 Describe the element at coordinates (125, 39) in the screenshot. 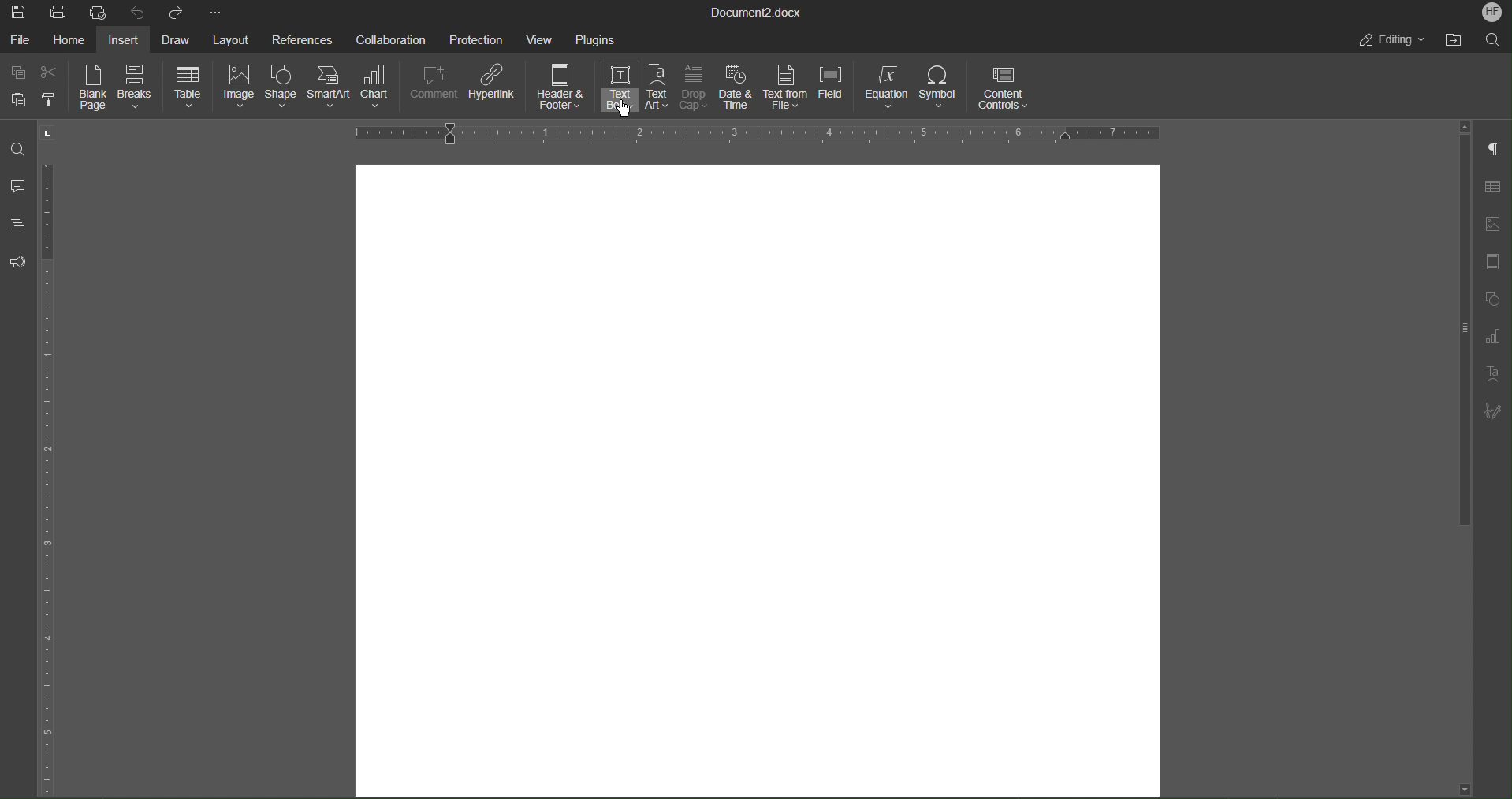

I see `Insert` at that location.